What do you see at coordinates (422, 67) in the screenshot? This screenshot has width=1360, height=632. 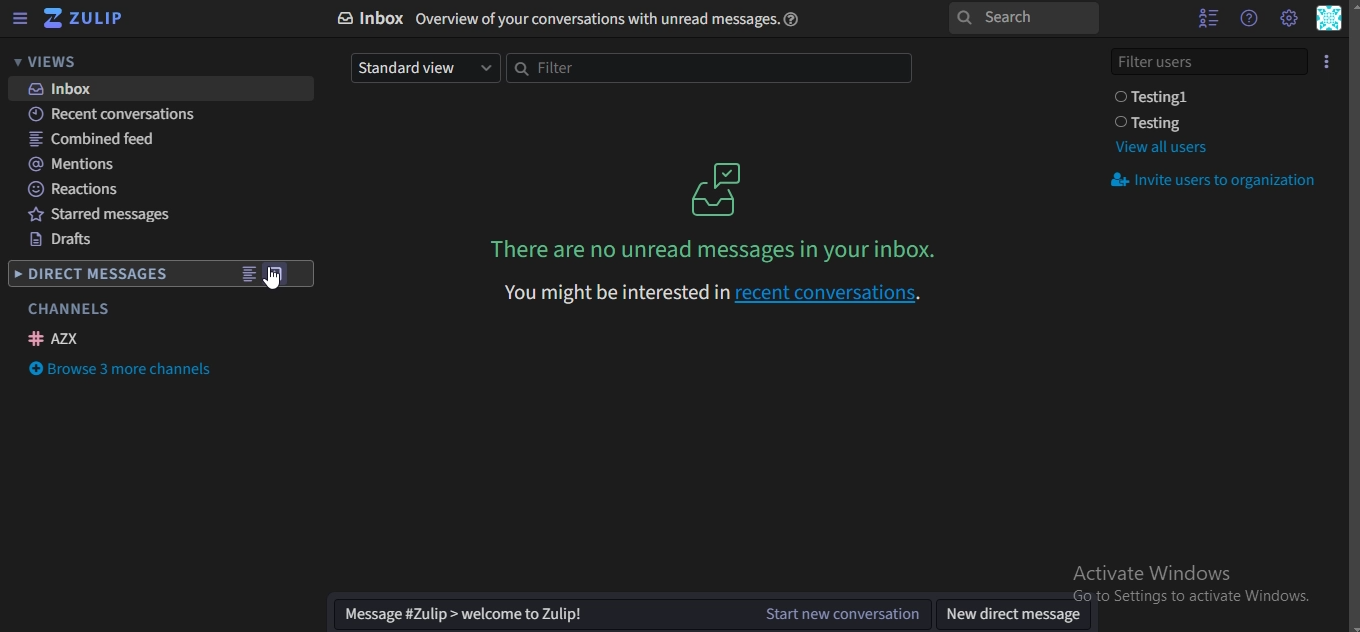 I see `standard view` at bounding box center [422, 67].